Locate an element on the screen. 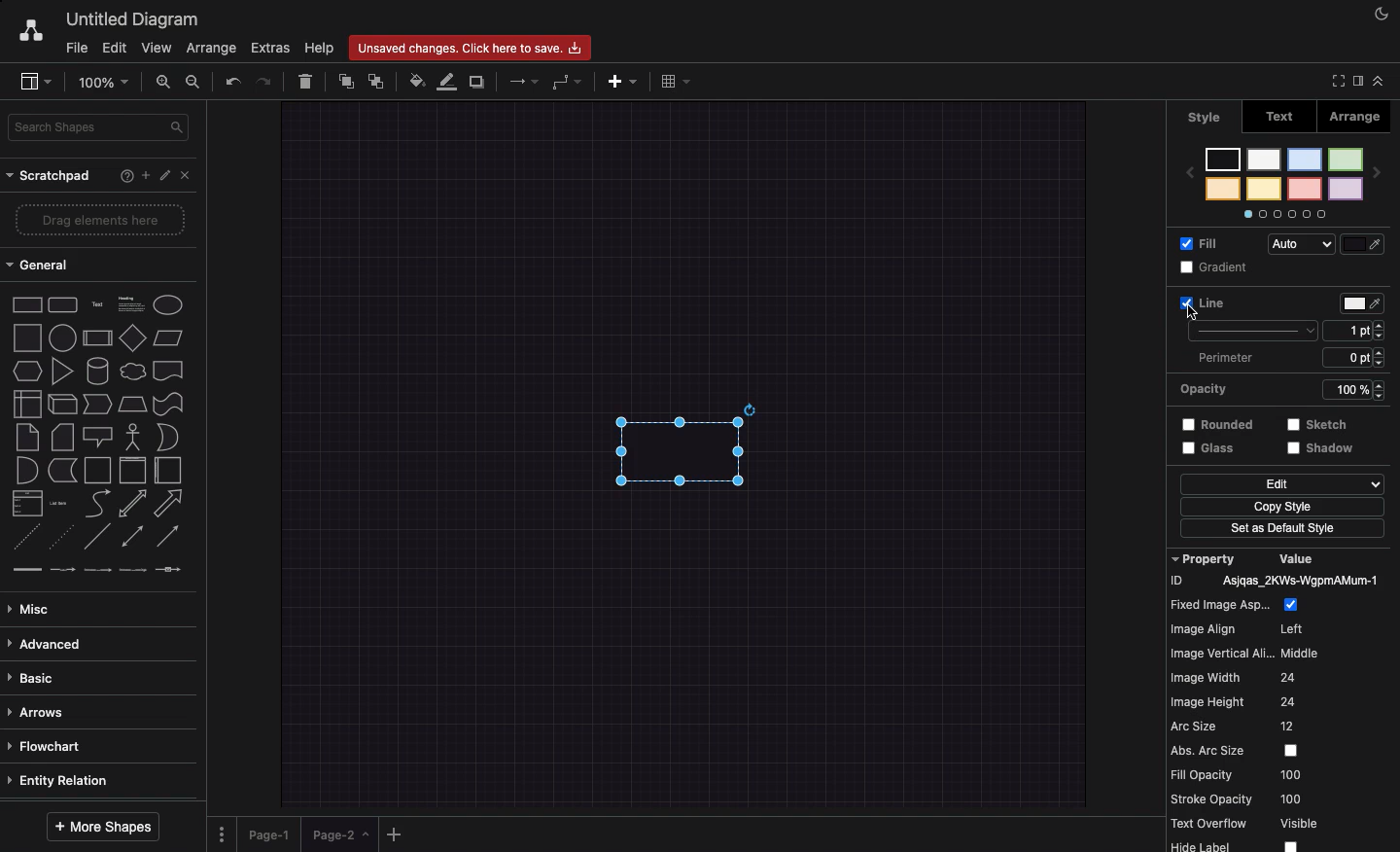 The width and height of the screenshot is (1400, 852). Night mode is located at coordinates (1382, 15).